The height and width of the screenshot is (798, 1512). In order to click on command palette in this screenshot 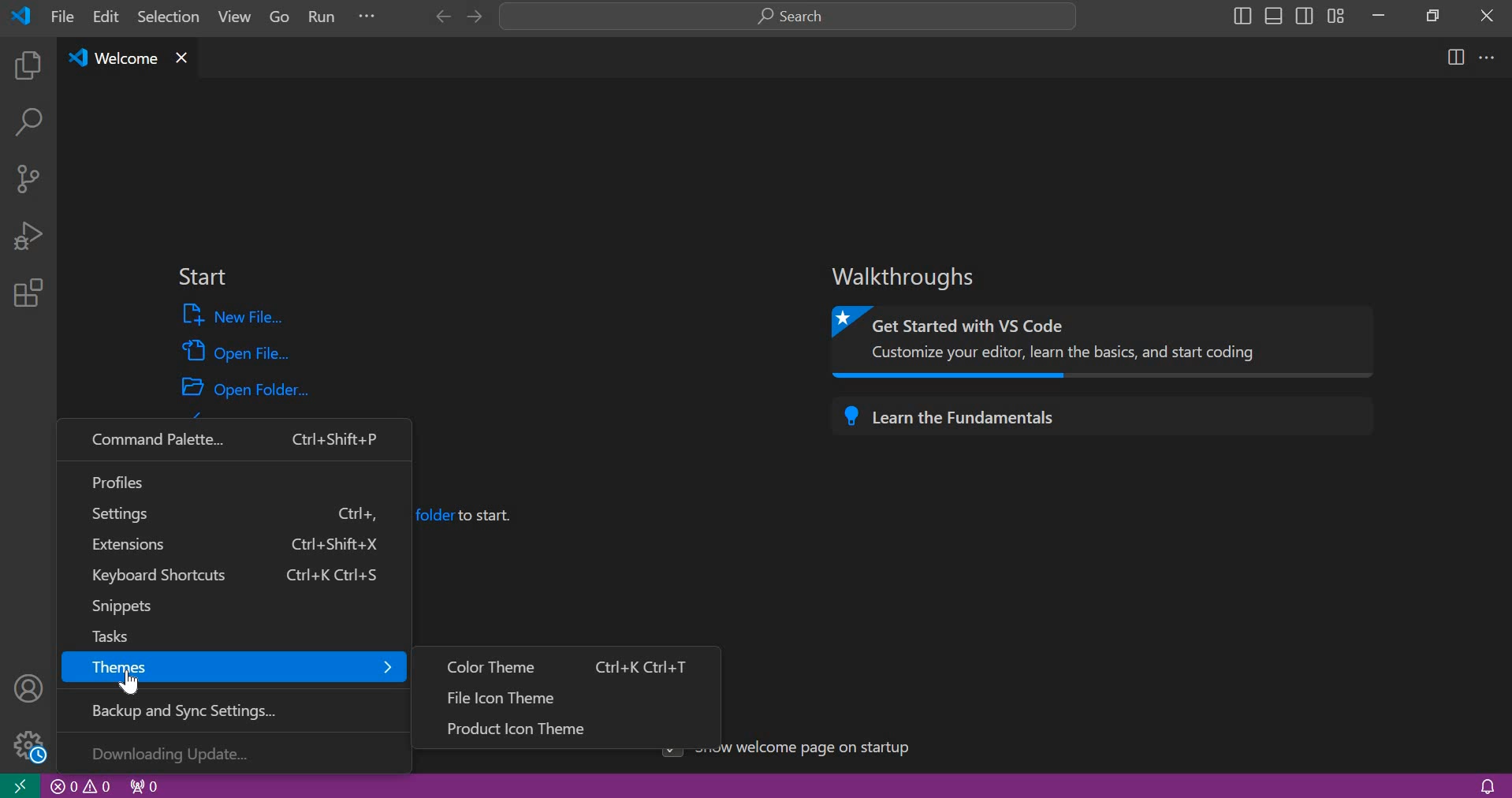, I will do `click(234, 440)`.